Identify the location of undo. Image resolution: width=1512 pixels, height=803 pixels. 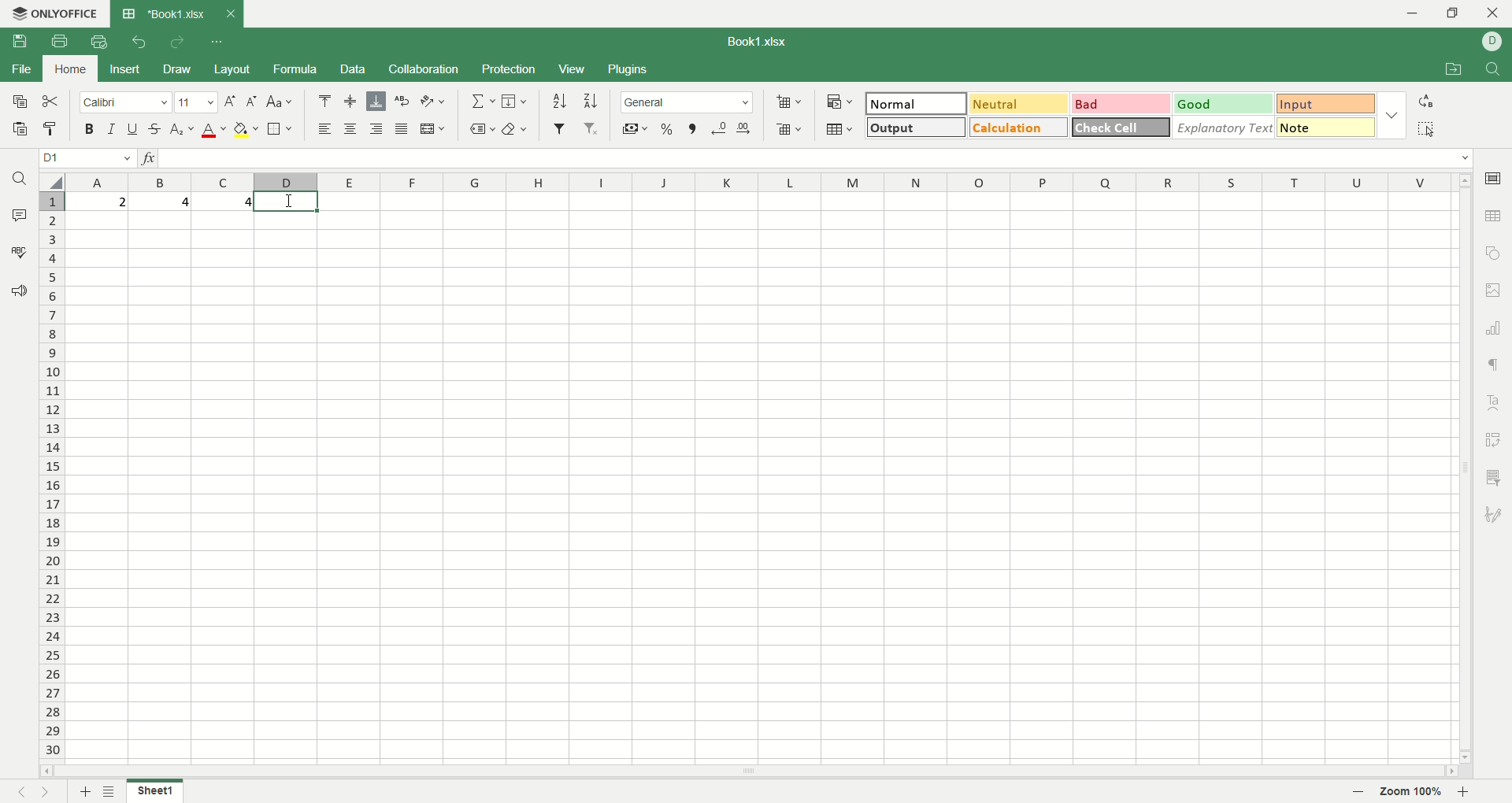
(136, 45).